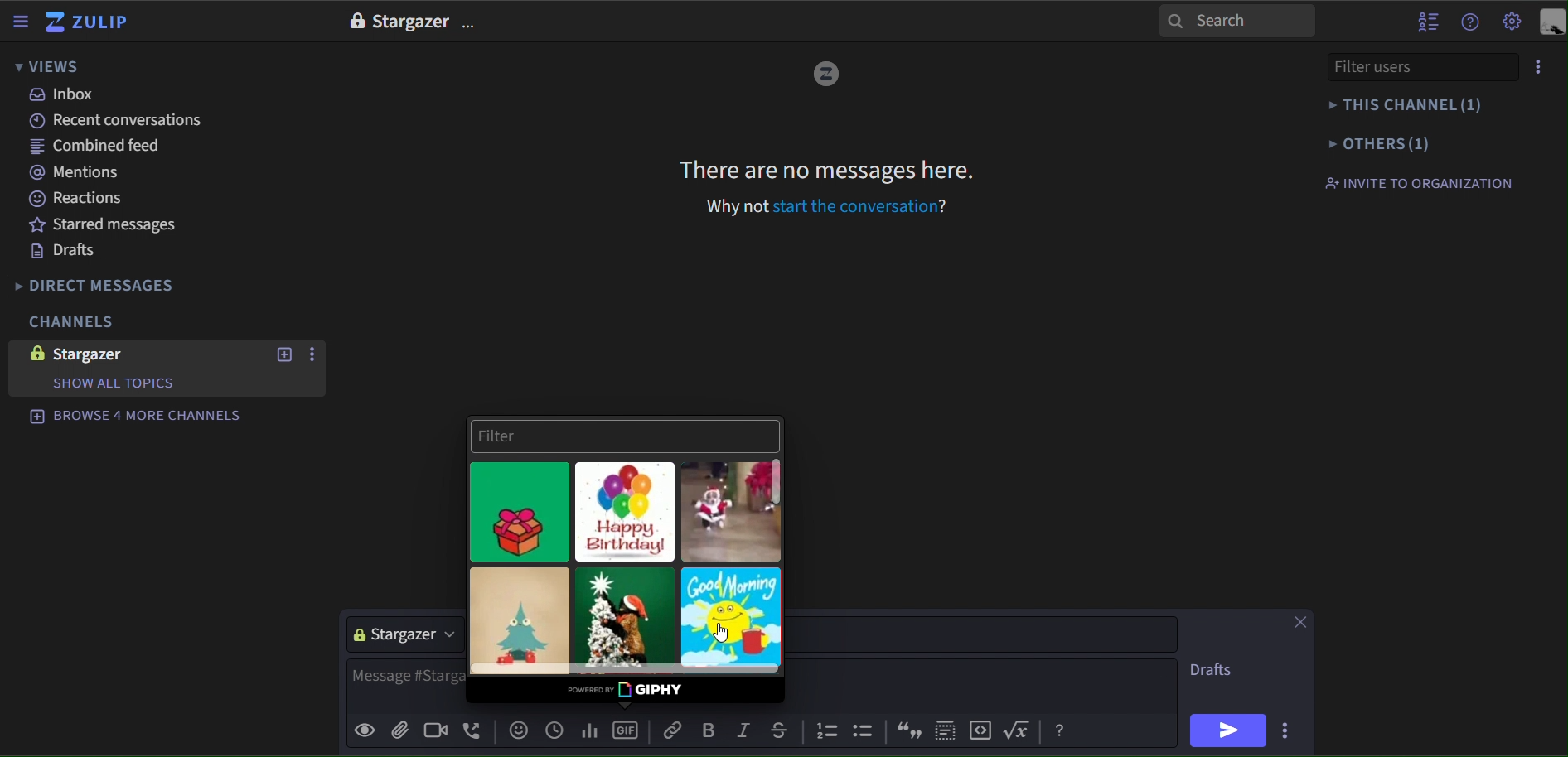 This screenshot has width=1568, height=757. Describe the element at coordinates (829, 732) in the screenshot. I see `listing` at that location.